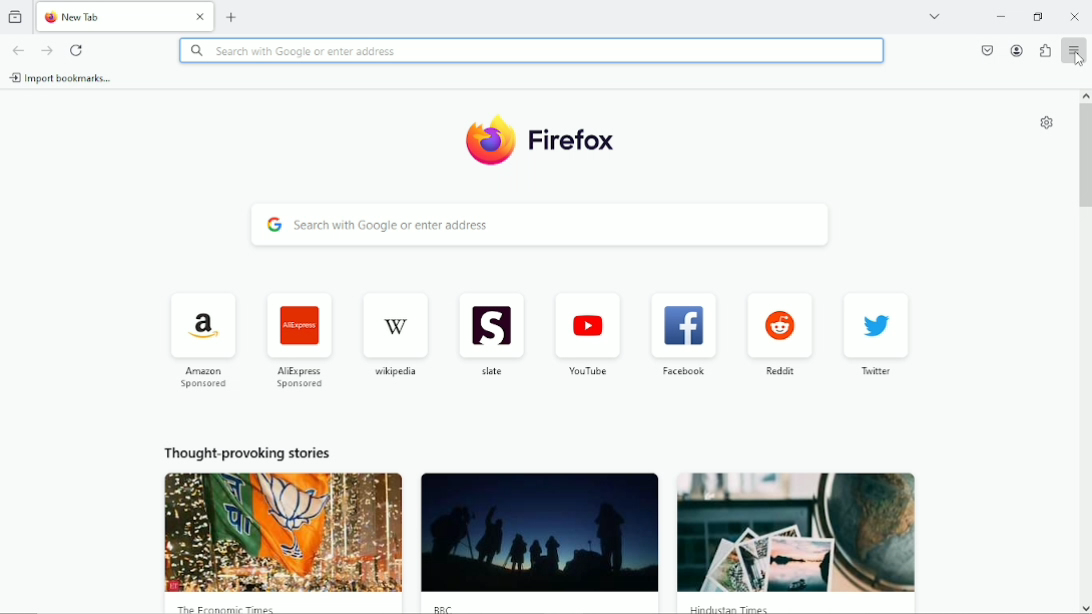 The width and height of the screenshot is (1092, 614). What do you see at coordinates (1001, 17) in the screenshot?
I see `minimize` at bounding box center [1001, 17].